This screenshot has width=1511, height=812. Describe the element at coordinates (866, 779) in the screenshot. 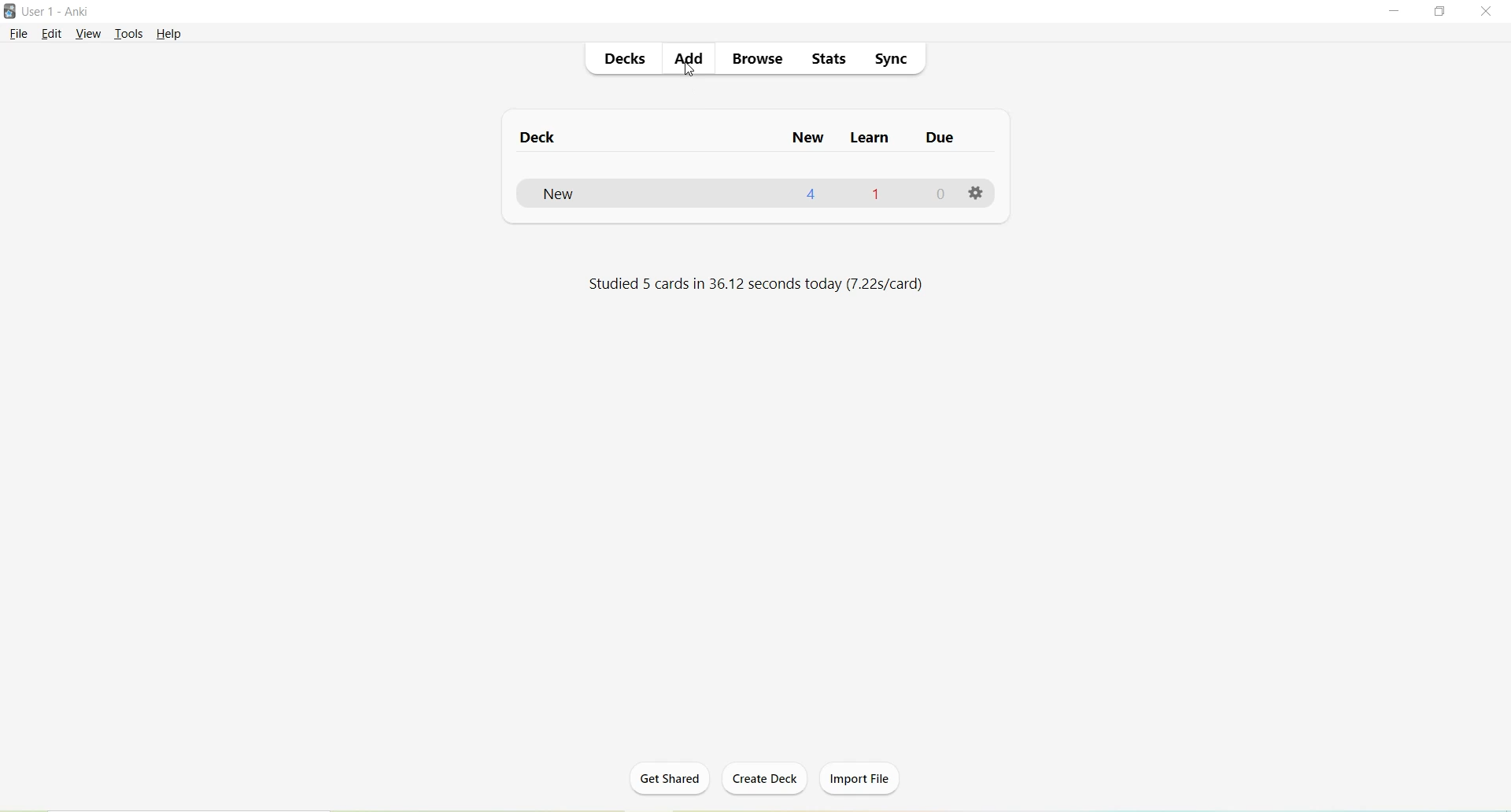

I see `Import File` at that location.